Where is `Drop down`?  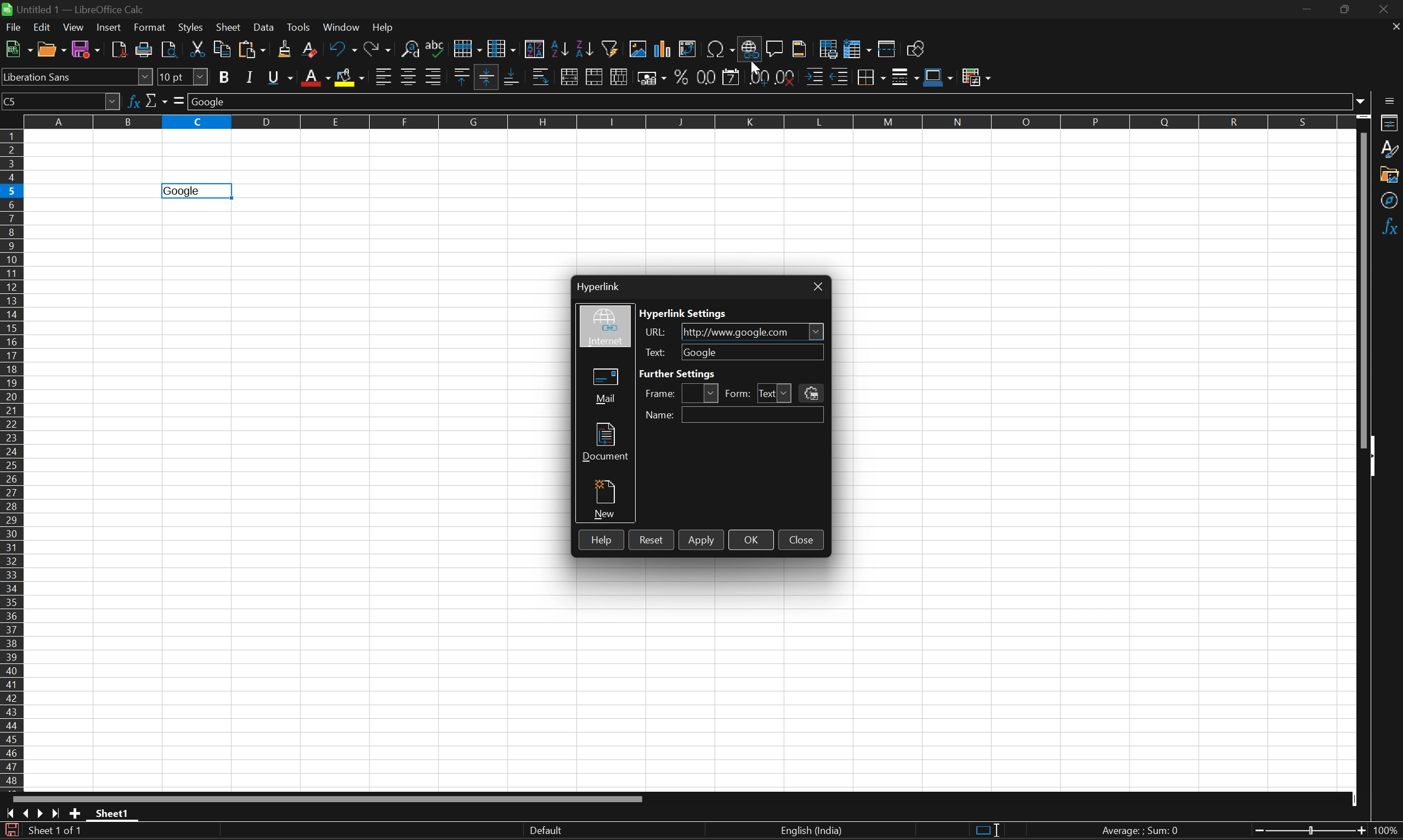 Drop down is located at coordinates (713, 393).